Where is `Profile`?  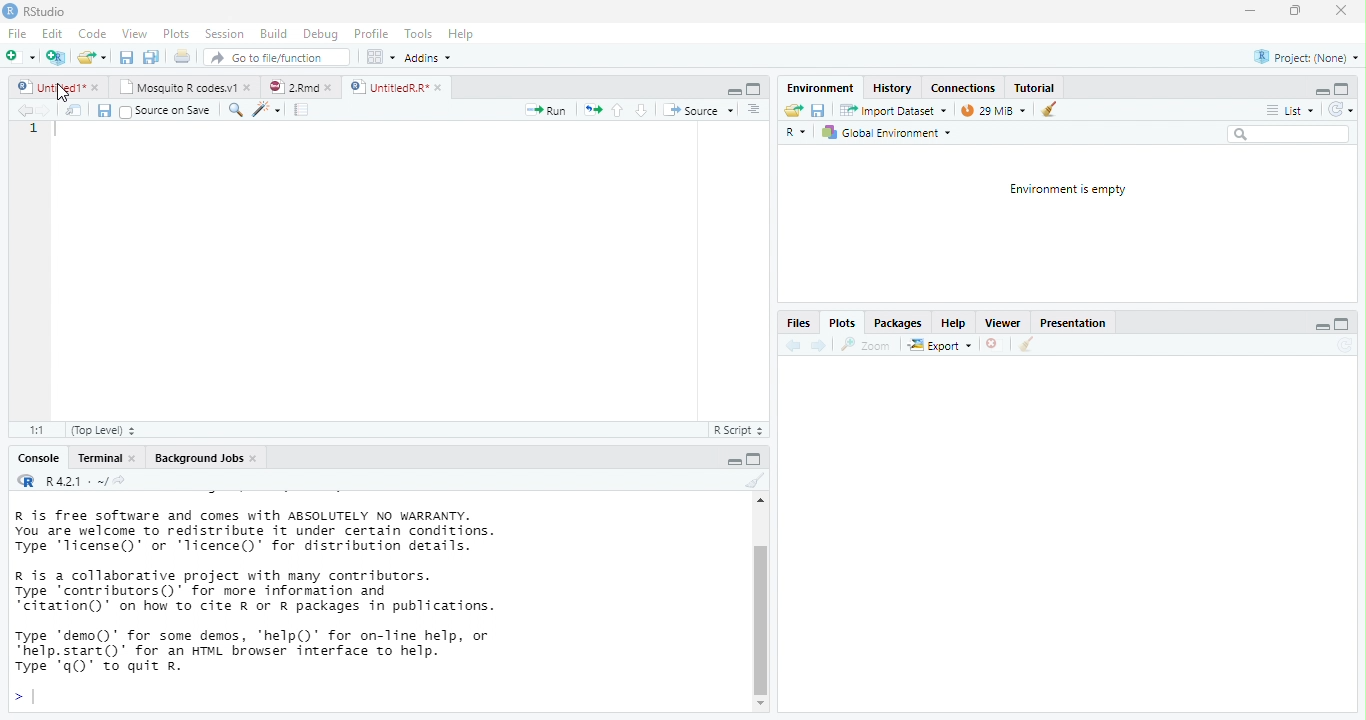 Profile is located at coordinates (371, 34).